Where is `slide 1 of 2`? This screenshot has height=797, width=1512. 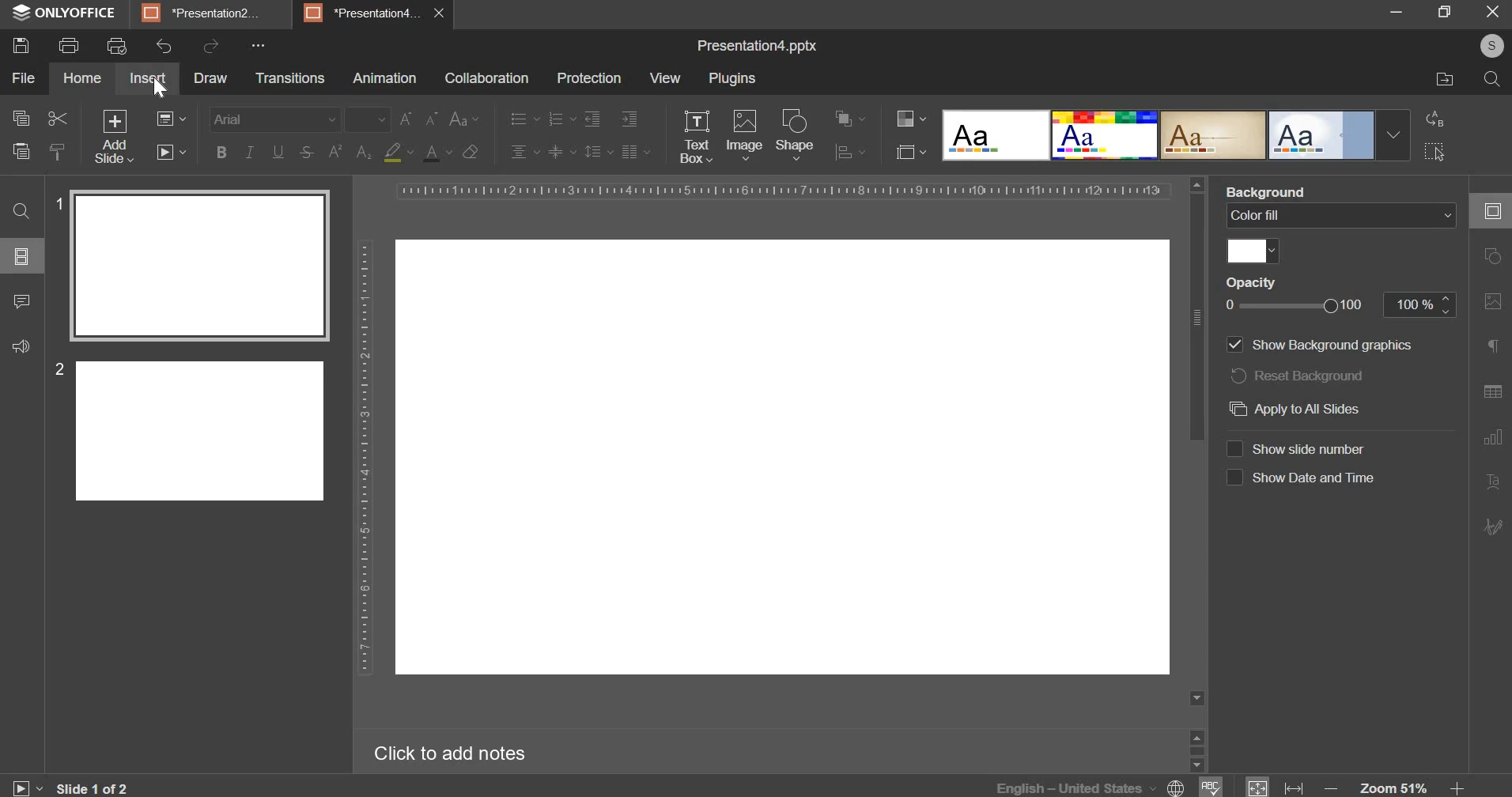
slide 1 of 2 is located at coordinates (95, 786).